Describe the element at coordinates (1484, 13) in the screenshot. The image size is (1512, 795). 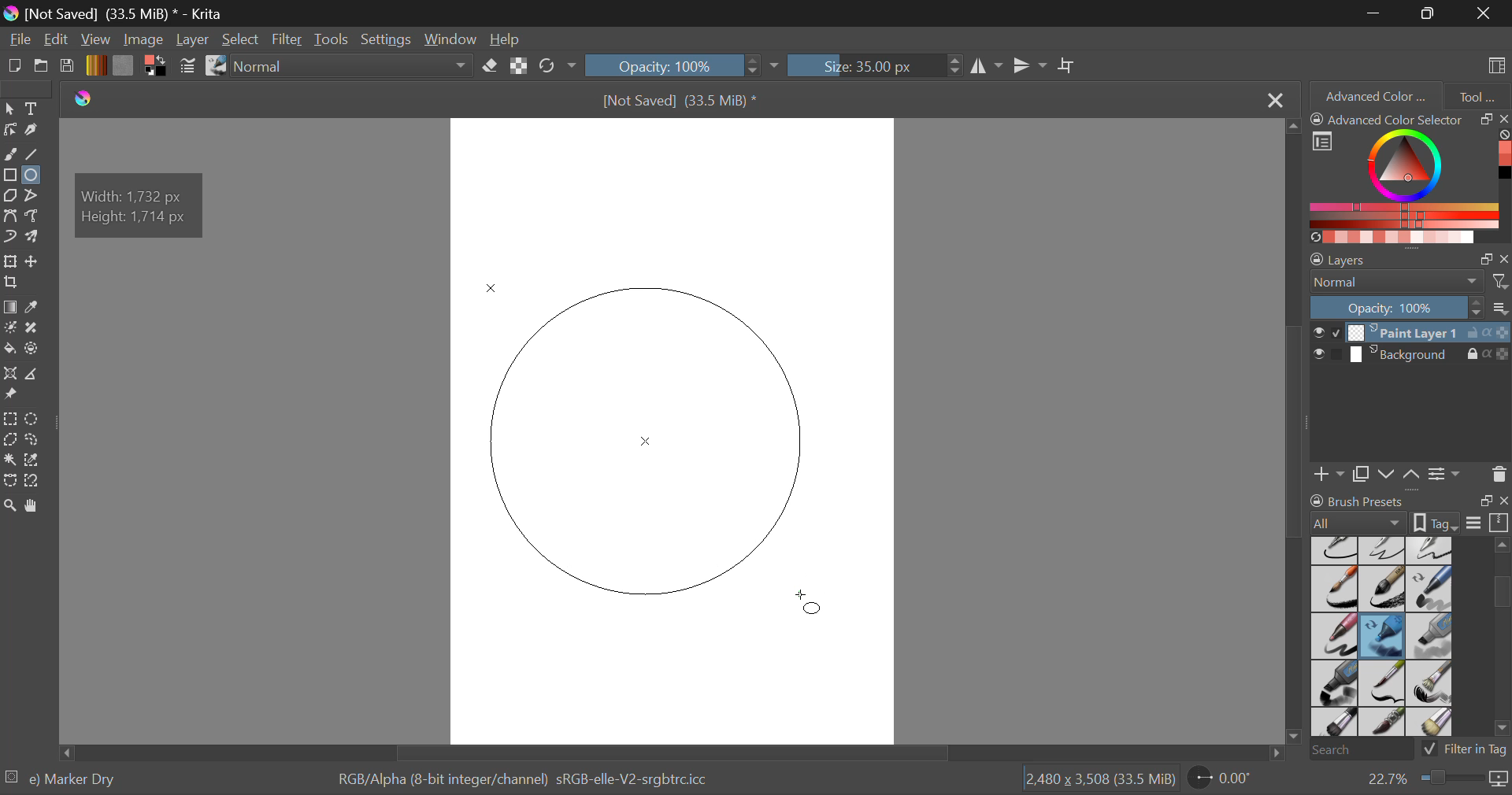
I see `Close` at that location.